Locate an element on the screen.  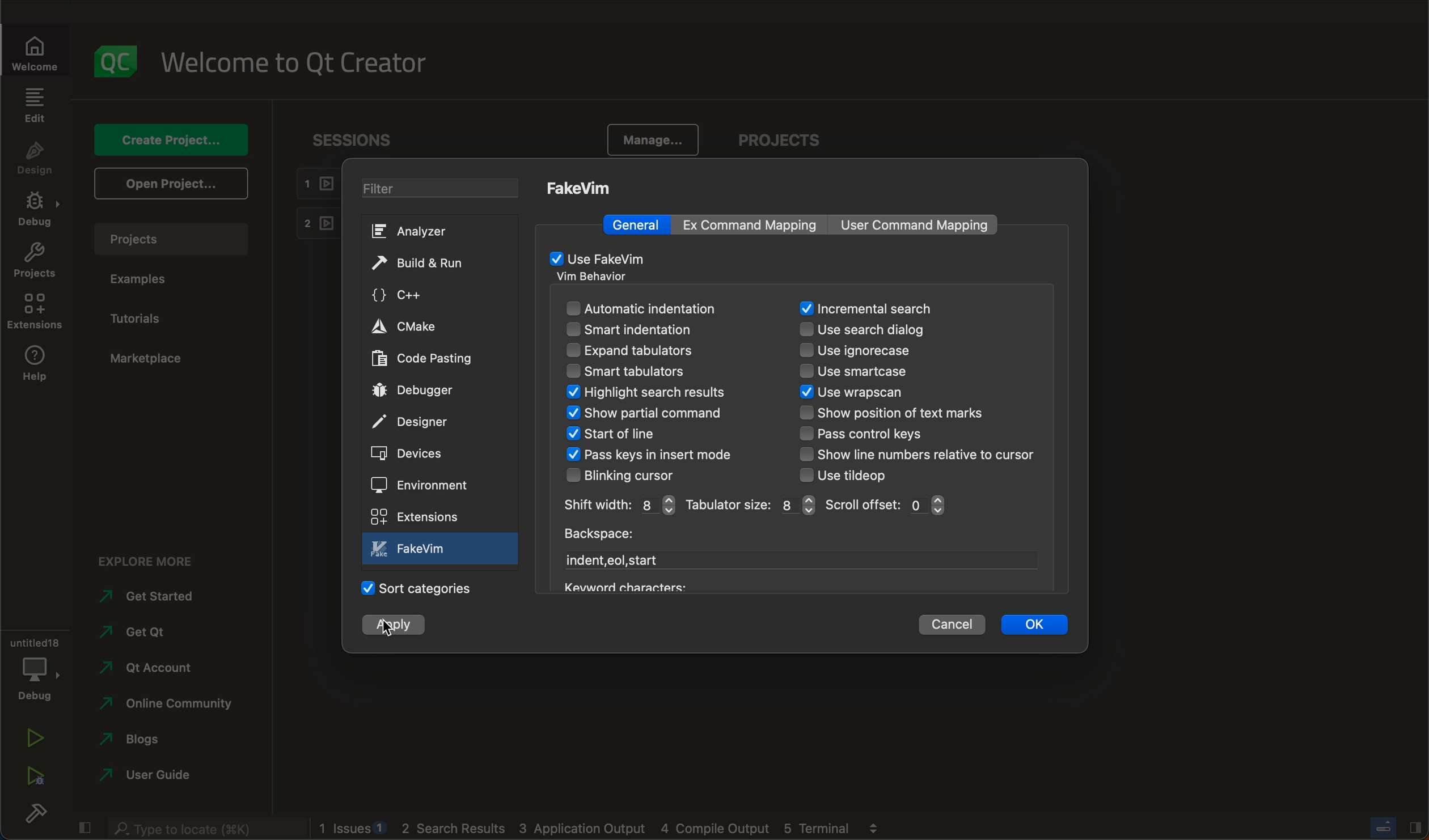
open is located at coordinates (173, 183).